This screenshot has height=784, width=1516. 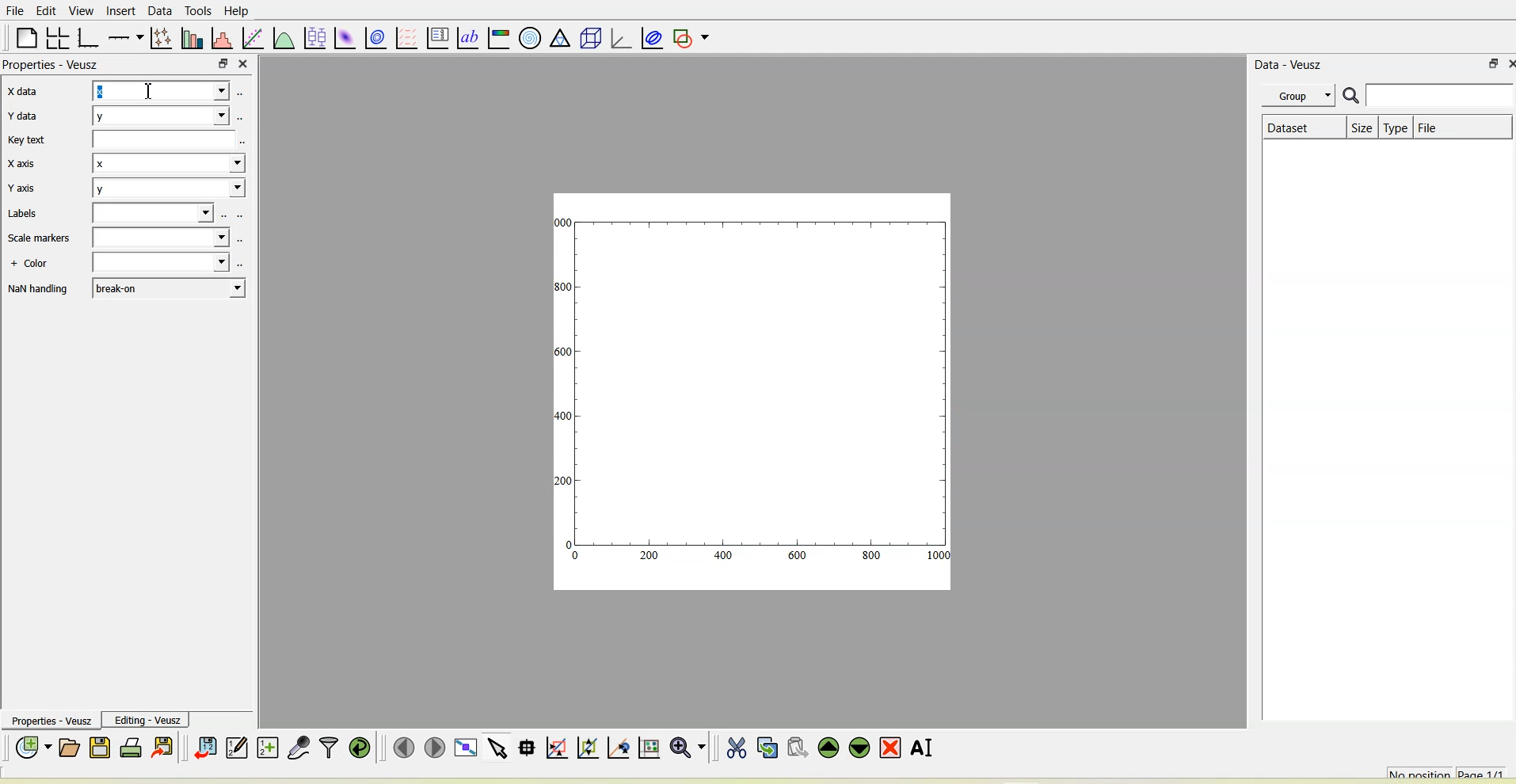 What do you see at coordinates (226, 215) in the screenshot?
I see `select using dataset browser` at bounding box center [226, 215].